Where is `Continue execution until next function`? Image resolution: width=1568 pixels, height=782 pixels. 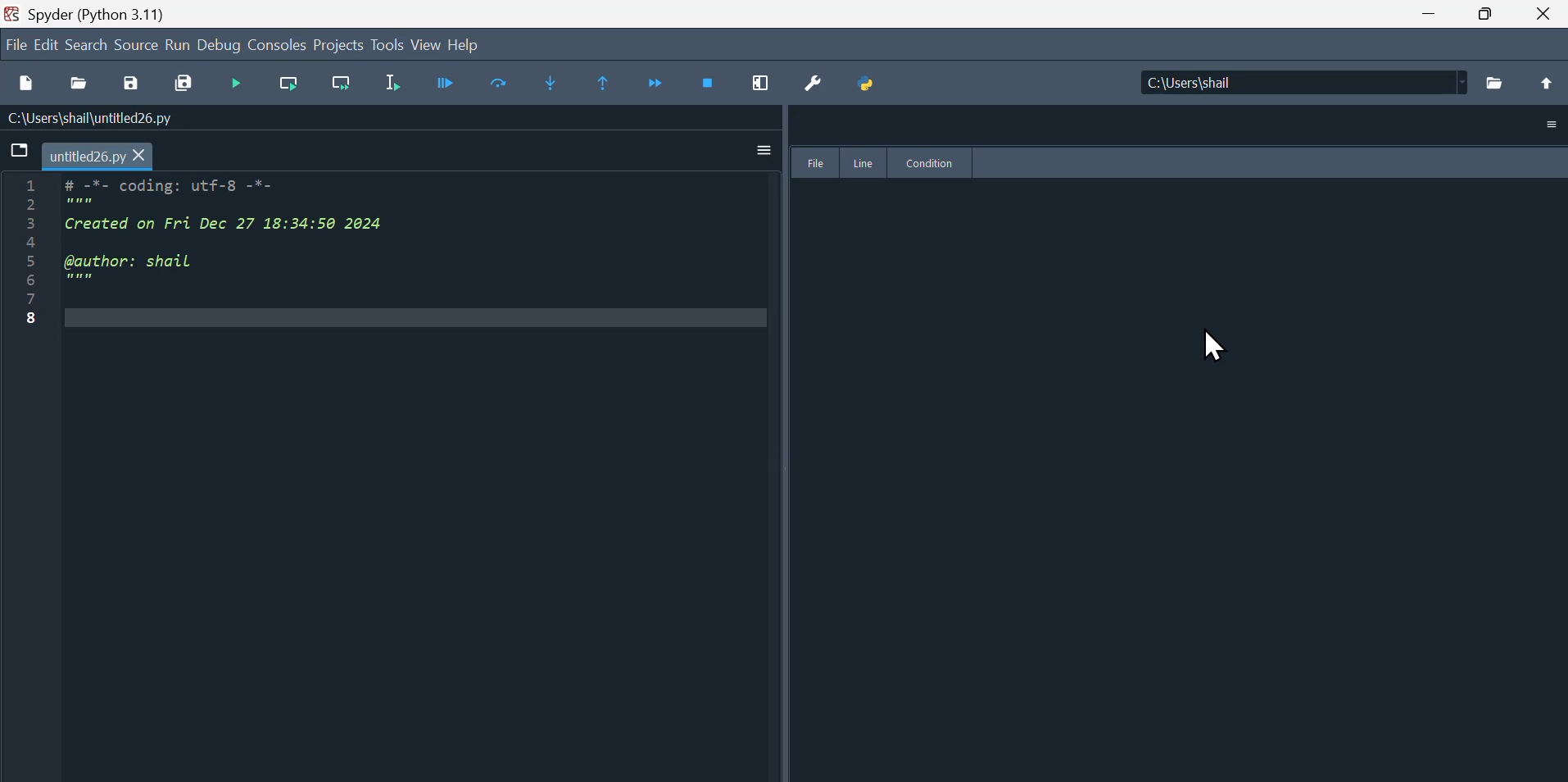 Continue execution until next function is located at coordinates (661, 83).